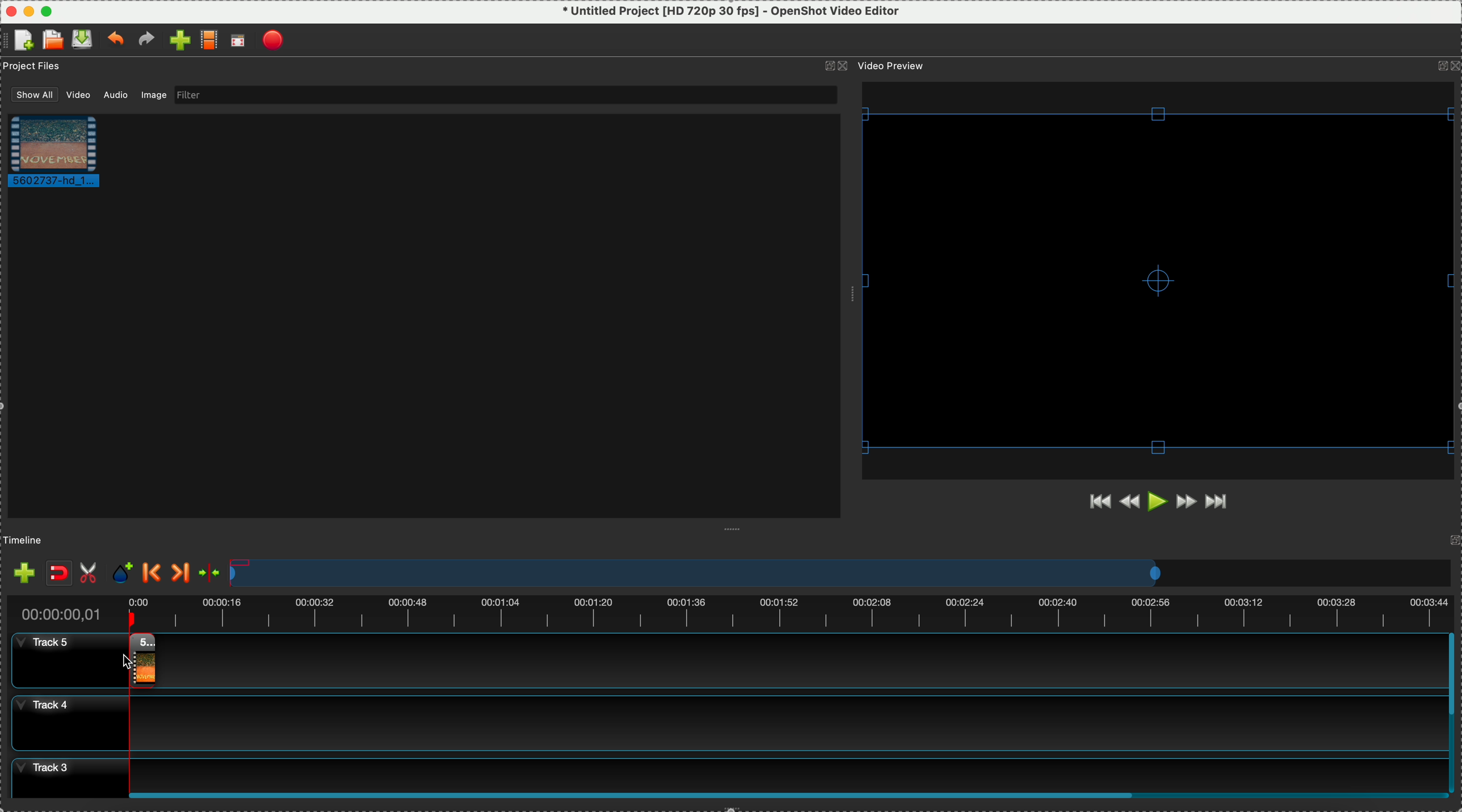  I want to click on next marker, so click(182, 573).